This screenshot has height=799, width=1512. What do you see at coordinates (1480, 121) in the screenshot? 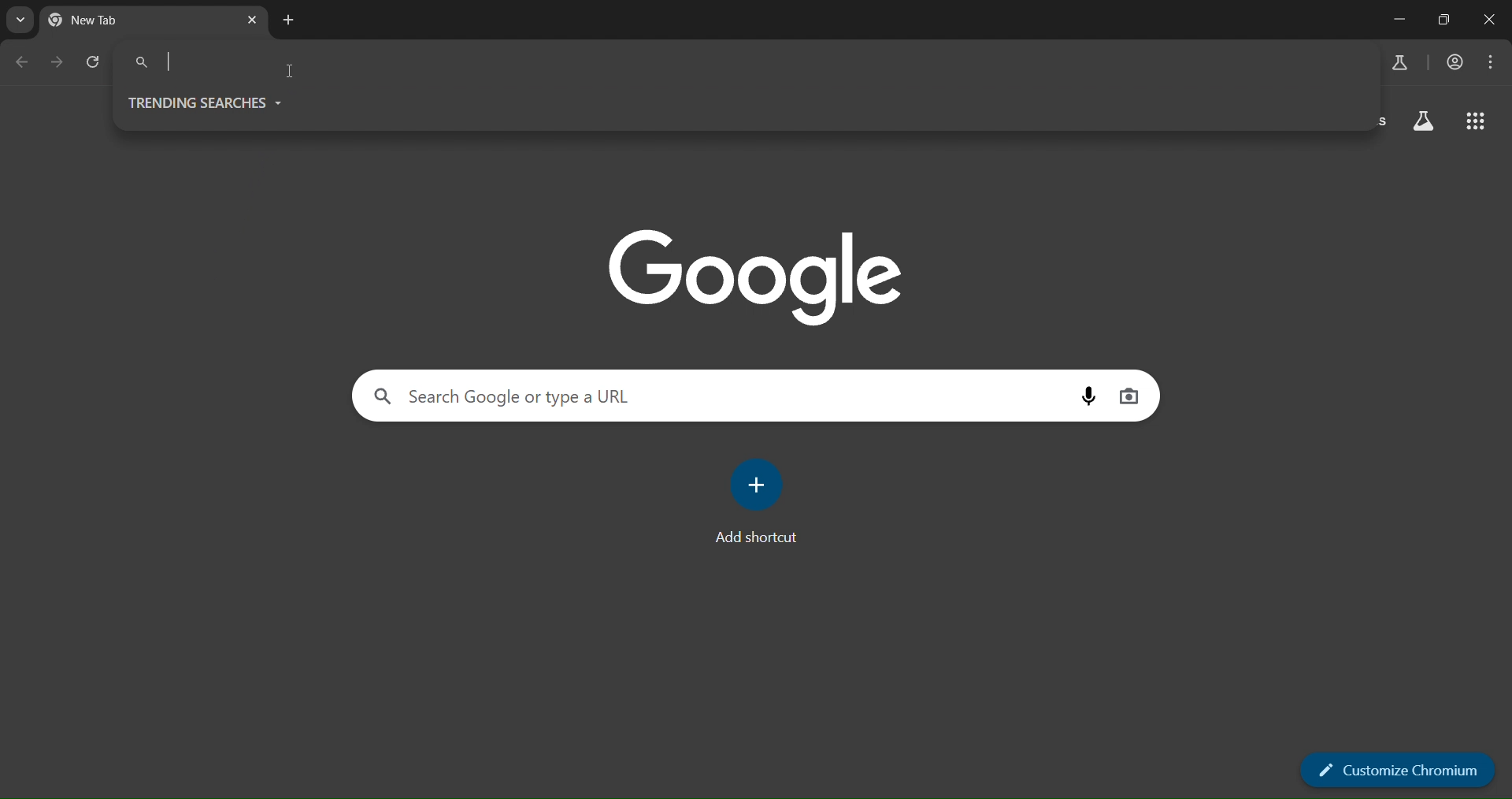
I see `google apps` at bounding box center [1480, 121].